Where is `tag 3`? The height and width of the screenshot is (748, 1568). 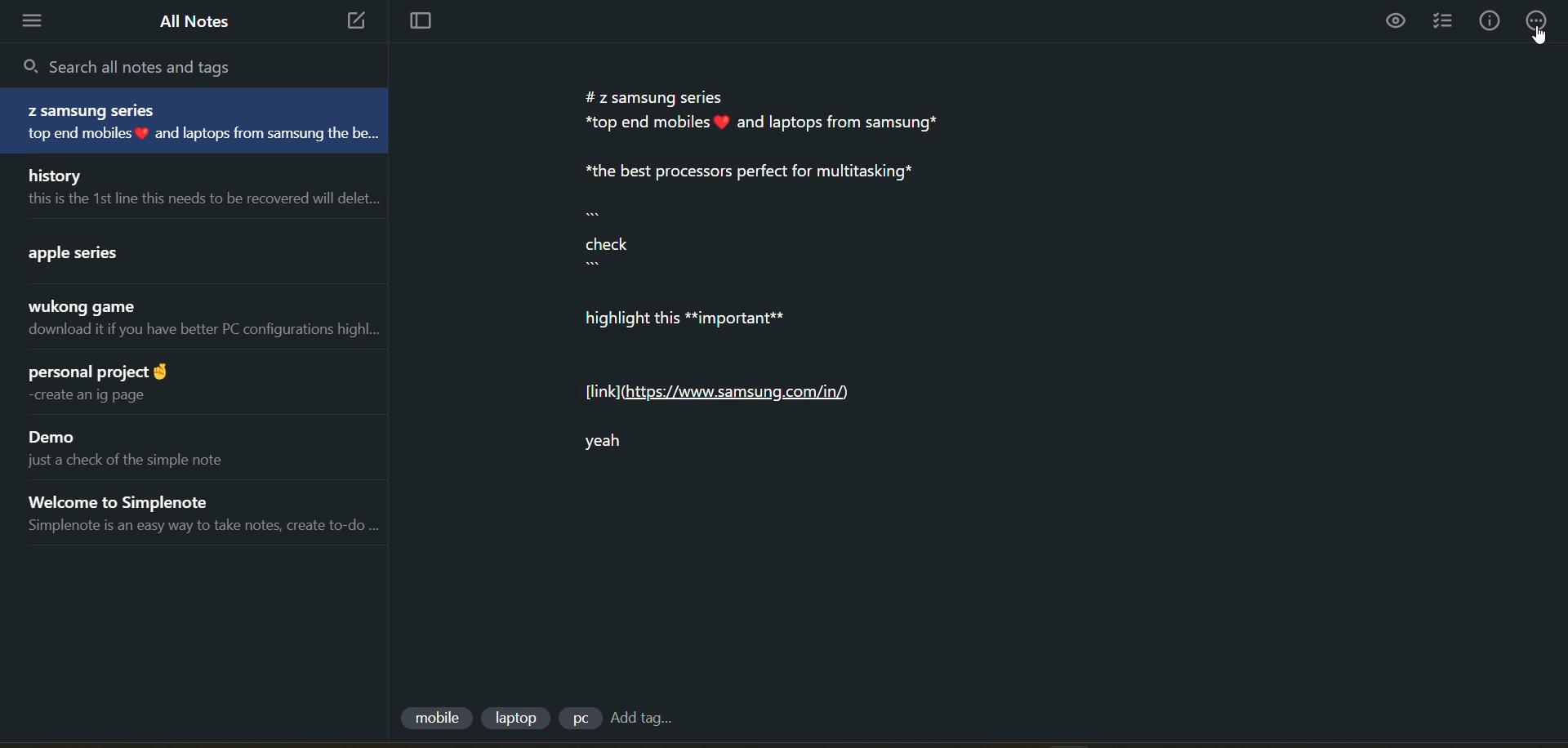
tag 3 is located at coordinates (579, 718).